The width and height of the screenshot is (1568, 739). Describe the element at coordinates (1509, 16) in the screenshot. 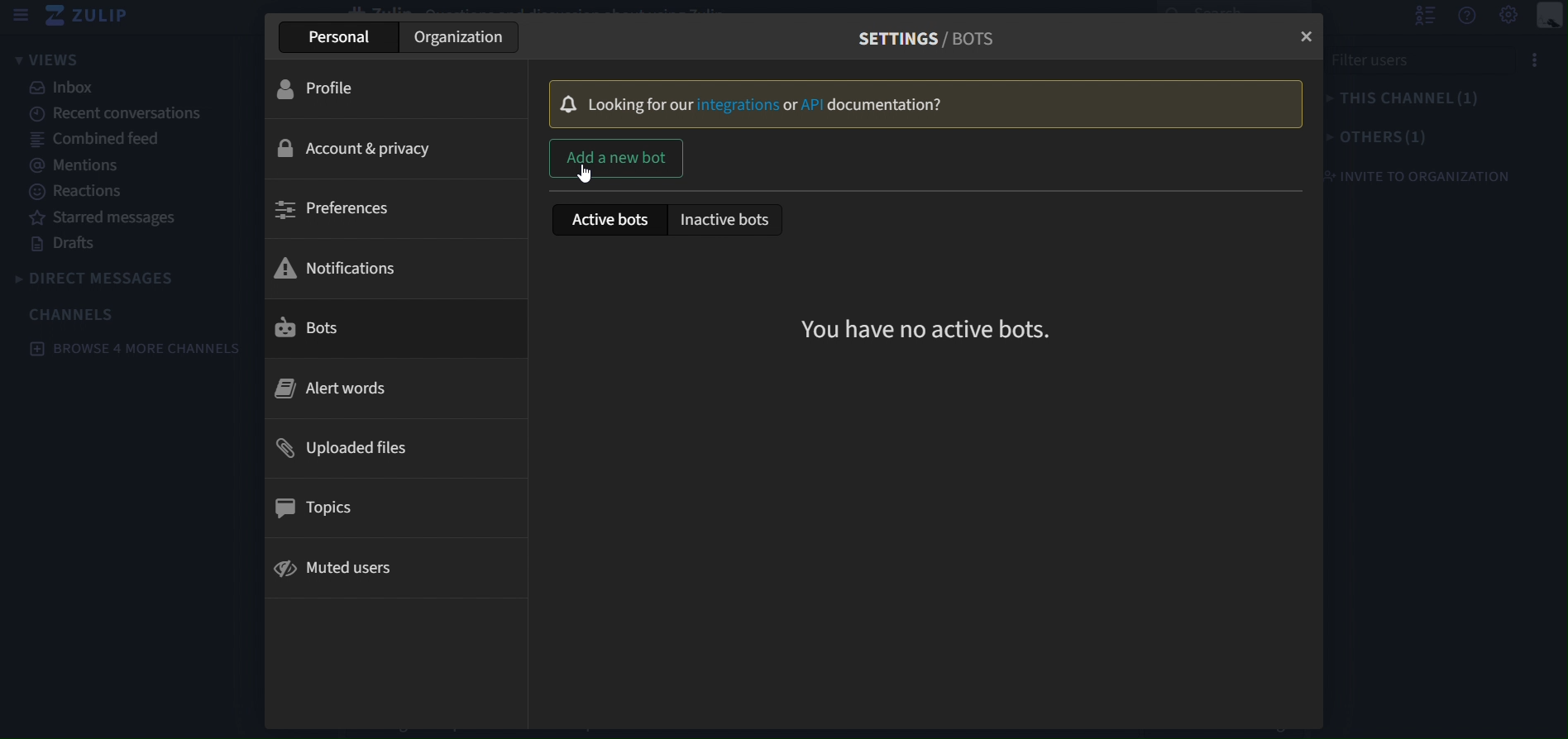

I see `Setting` at that location.